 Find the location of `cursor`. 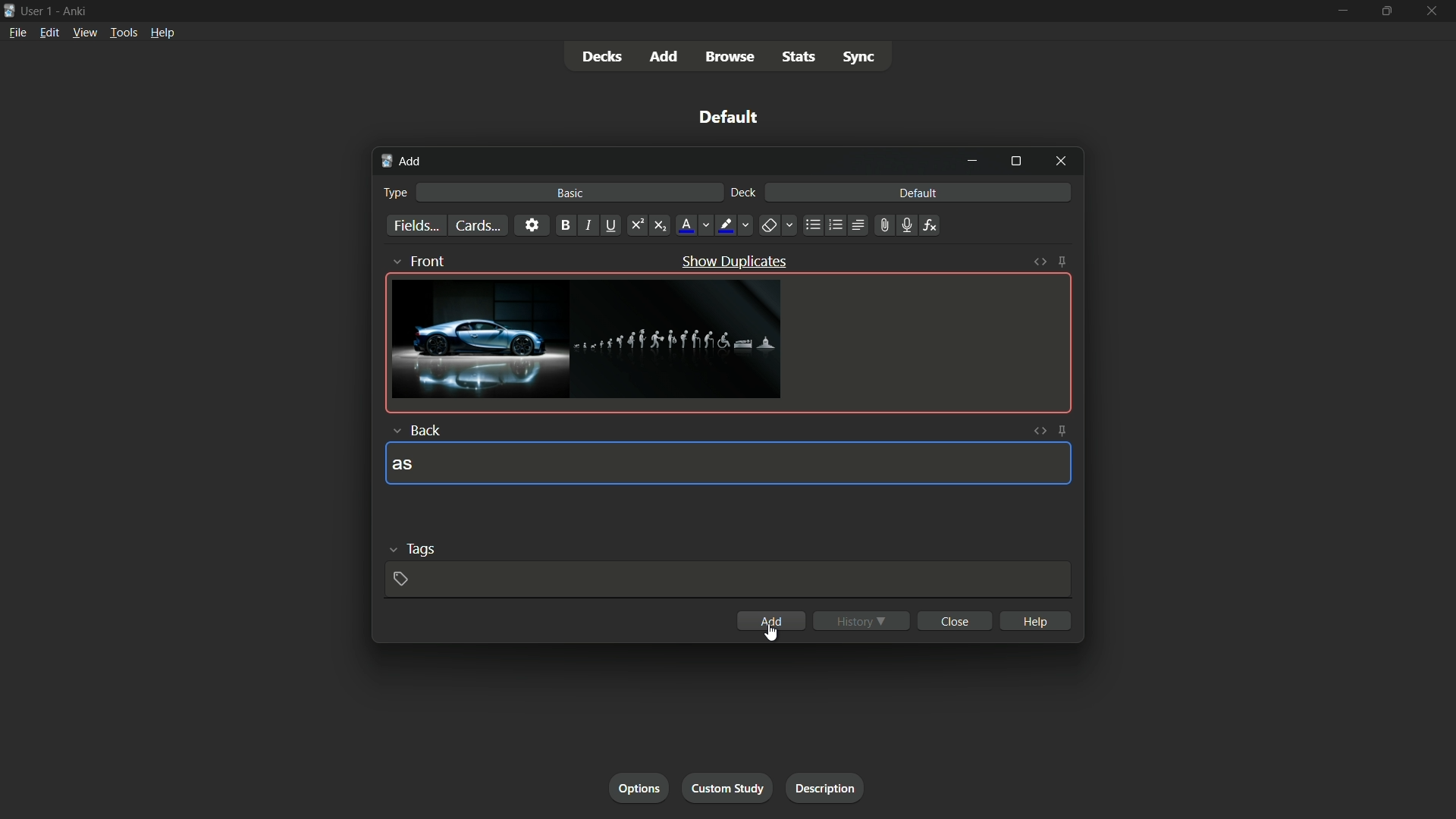

cursor is located at coordinates (775, 634).